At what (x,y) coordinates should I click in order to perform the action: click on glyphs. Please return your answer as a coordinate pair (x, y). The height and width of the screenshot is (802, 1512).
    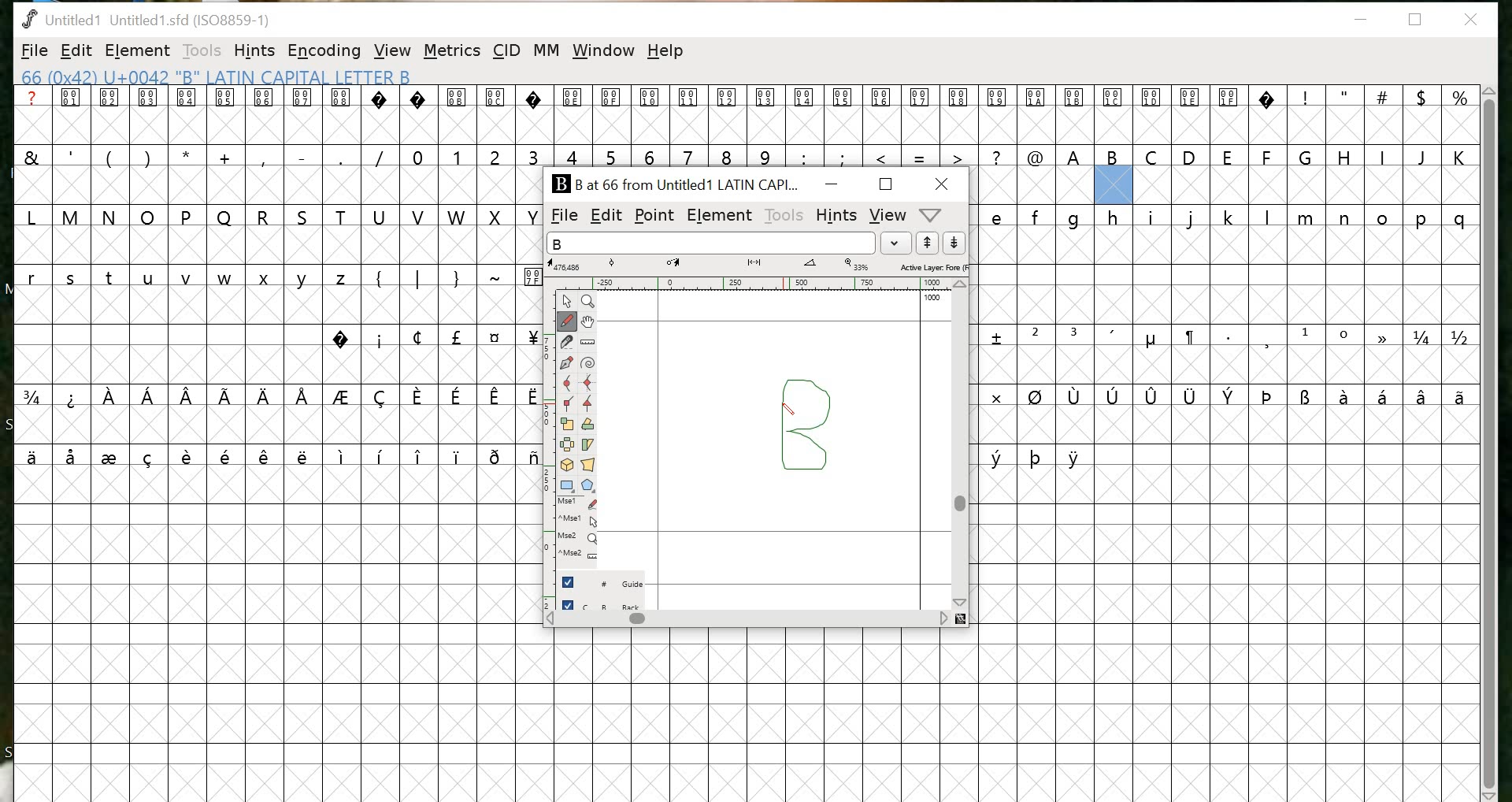
    Looking at the image, I should click on (268, 284).